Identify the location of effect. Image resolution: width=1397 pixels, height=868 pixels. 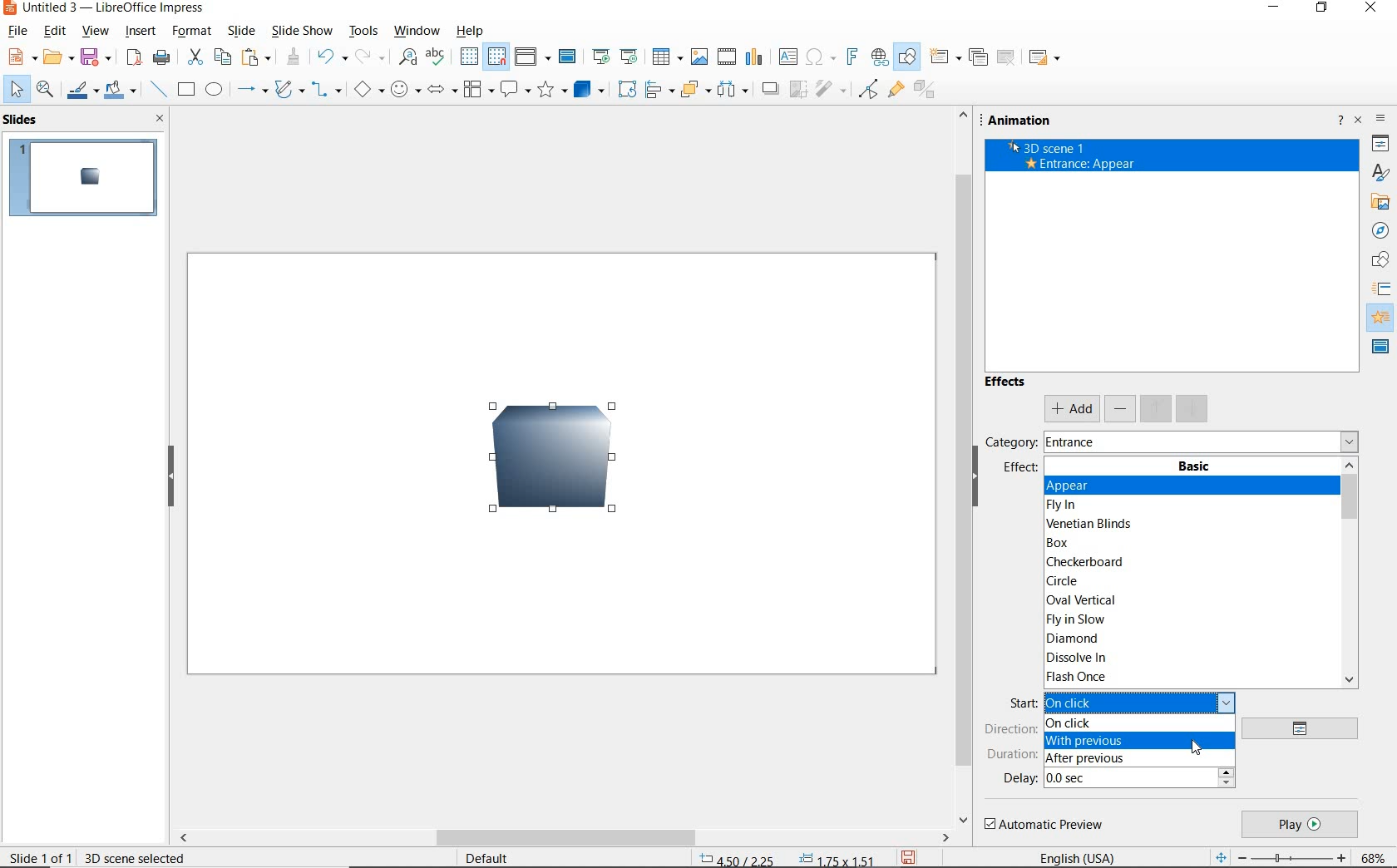
(1019, 471).